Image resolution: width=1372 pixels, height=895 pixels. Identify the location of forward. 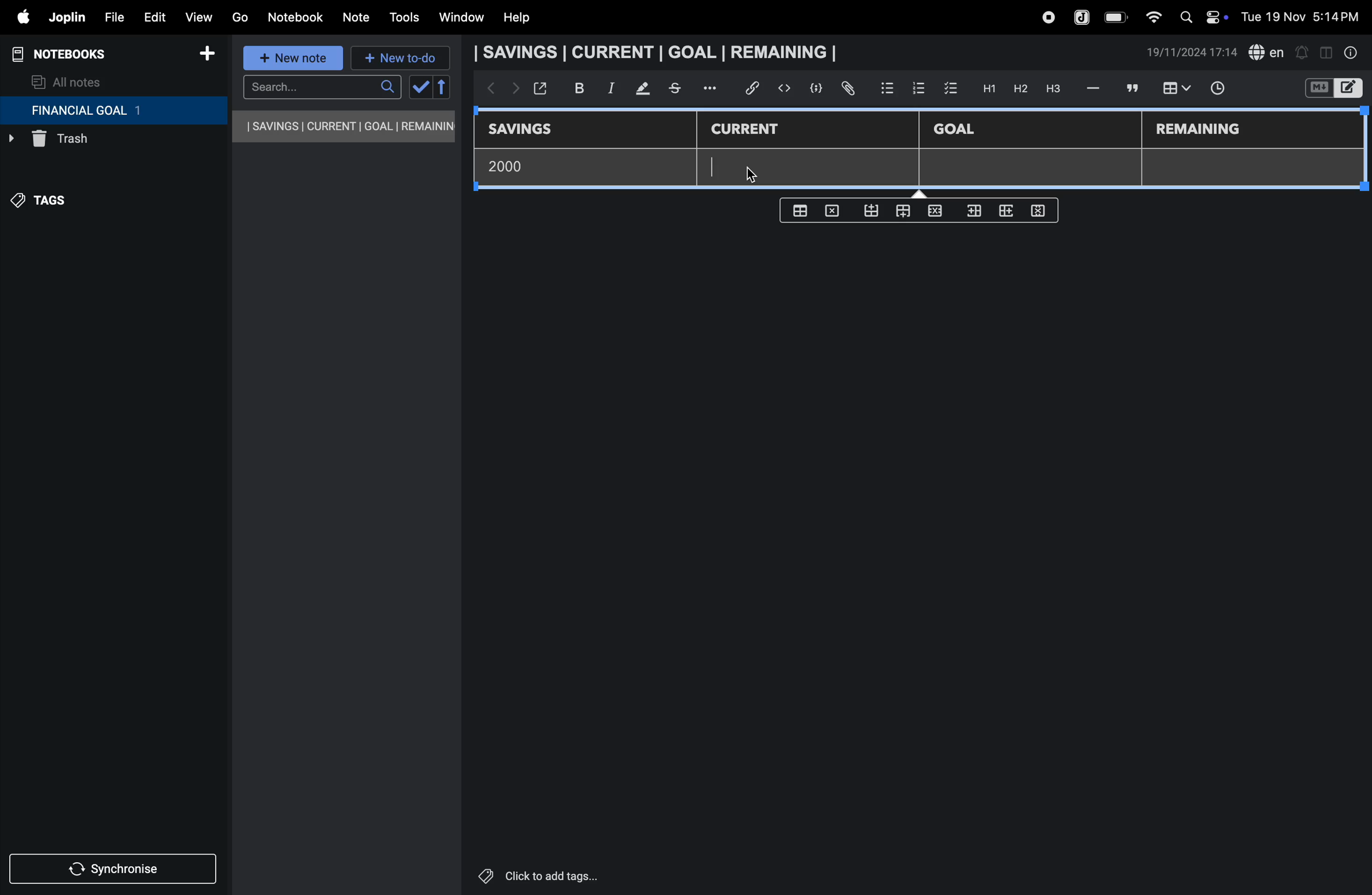
(512, 91).